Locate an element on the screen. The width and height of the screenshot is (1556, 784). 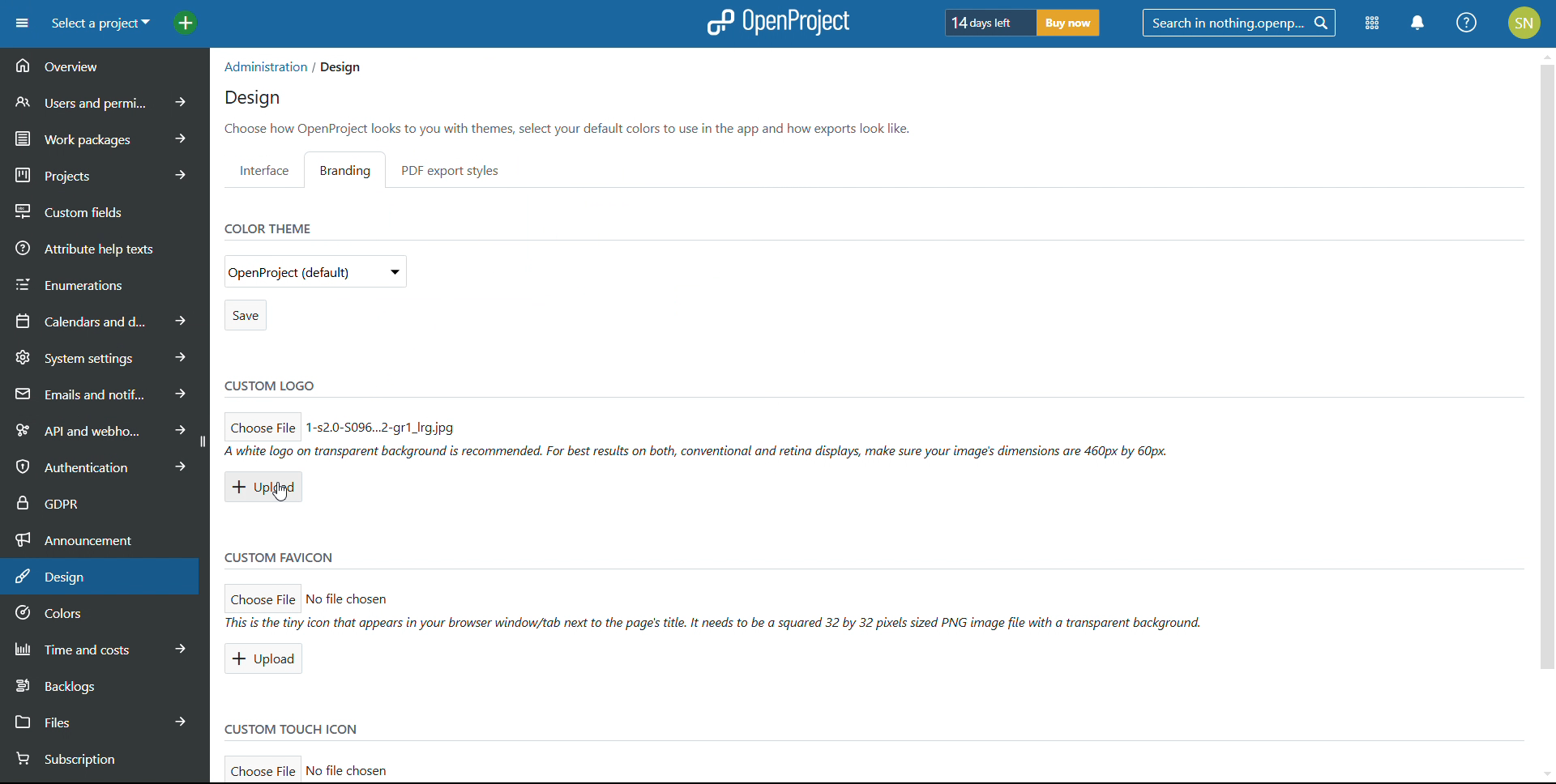
days left of trial is located at coordinates (986, 22).